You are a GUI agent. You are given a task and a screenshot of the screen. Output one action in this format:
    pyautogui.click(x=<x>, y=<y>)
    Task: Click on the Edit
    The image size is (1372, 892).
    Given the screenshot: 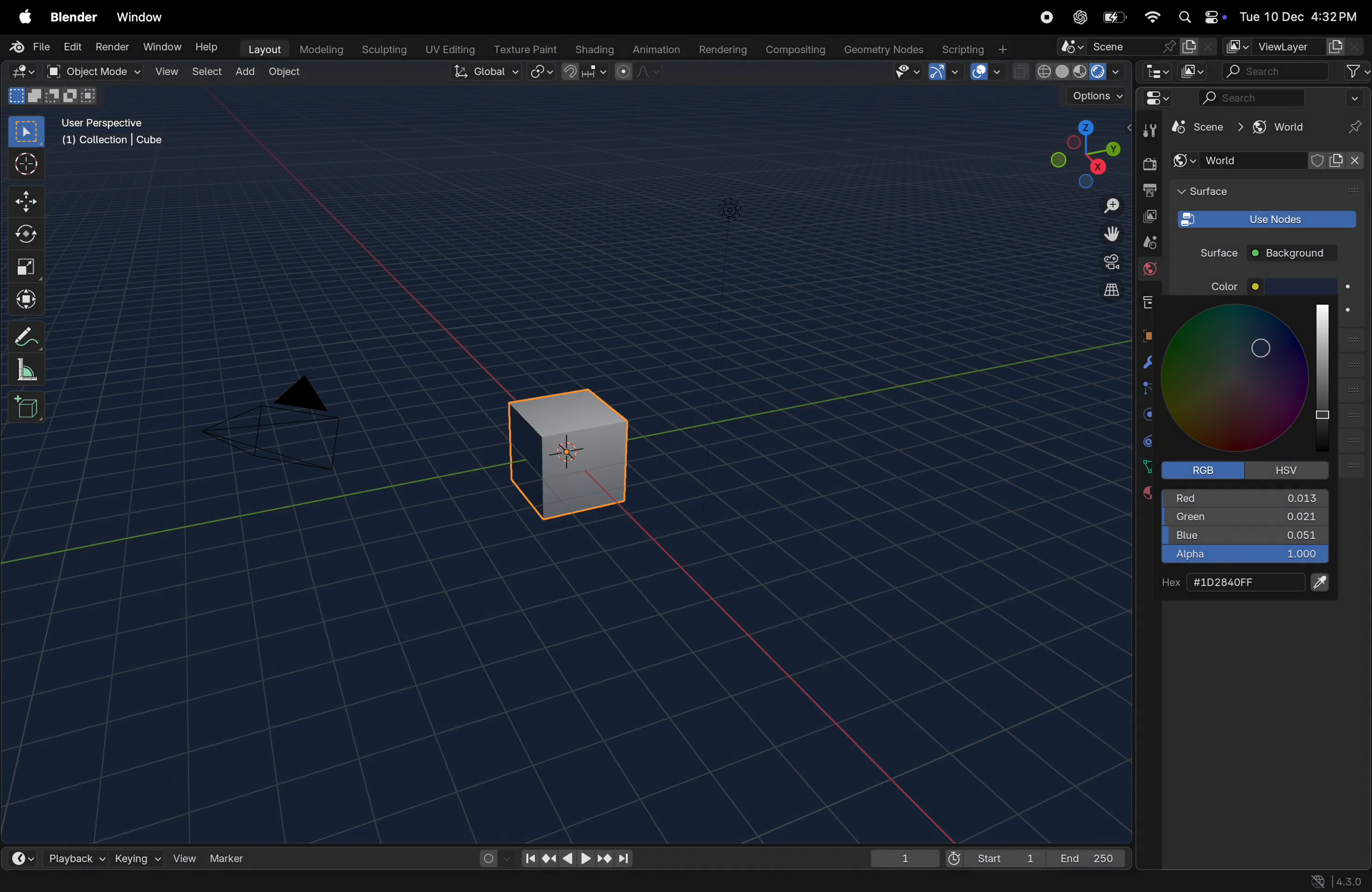 What is the action you would take?
    pyautogui.click(x=73, y=47)
    